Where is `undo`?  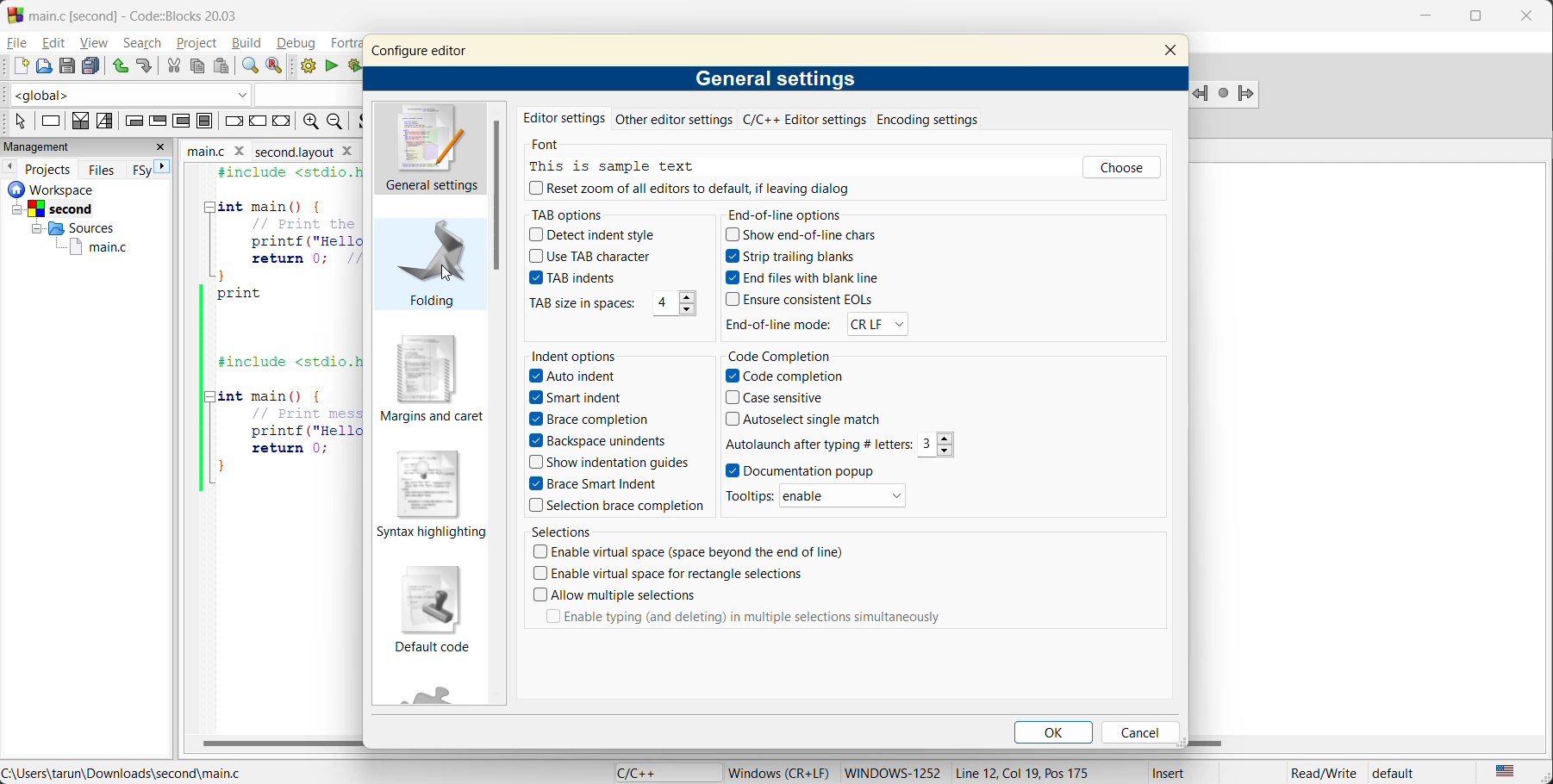
undo is located at coordinates (120, 65).